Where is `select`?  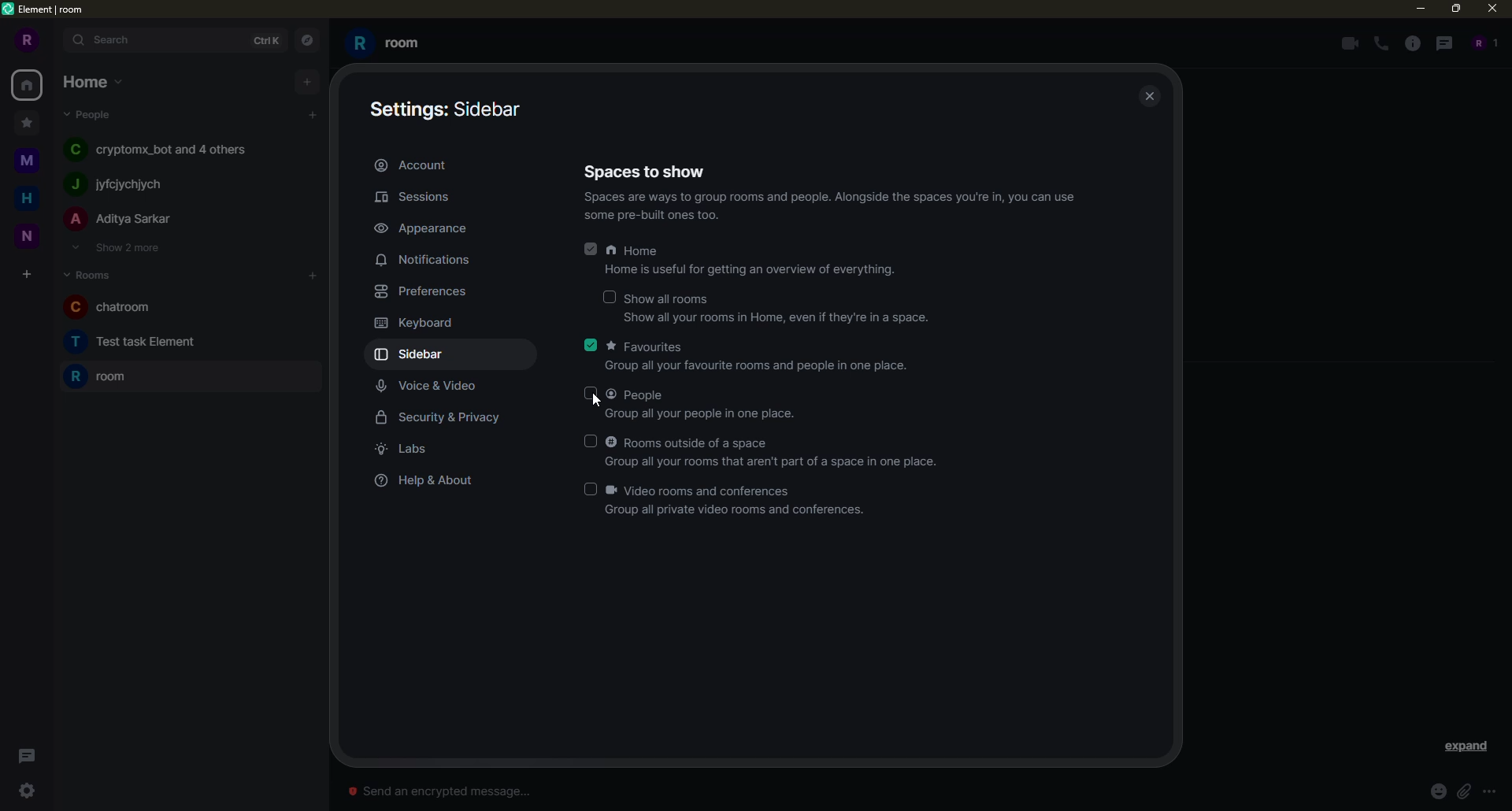
select is located at coordinates (588, 441).